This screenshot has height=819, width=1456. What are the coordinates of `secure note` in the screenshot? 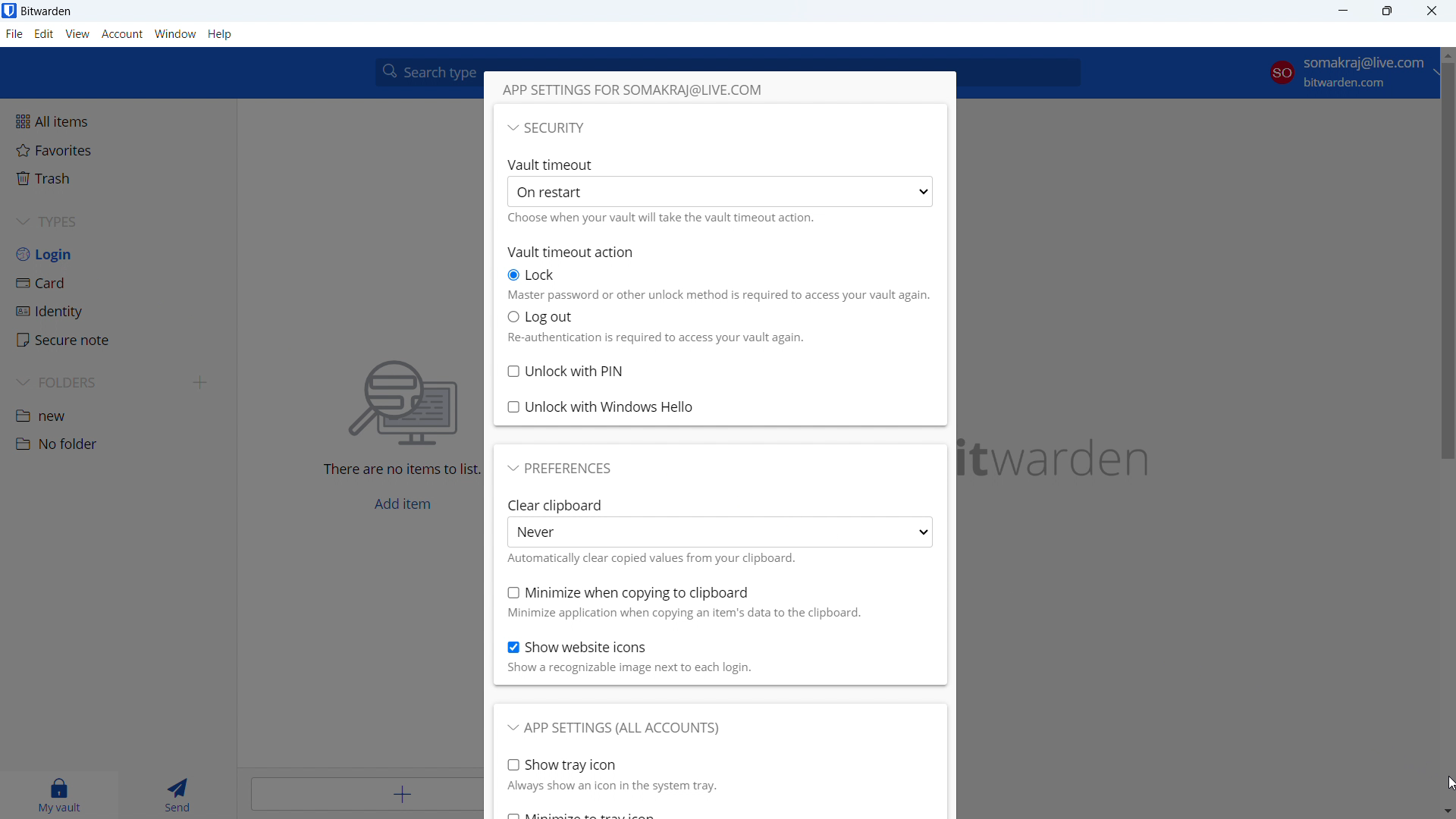 It's located at (118, 340).